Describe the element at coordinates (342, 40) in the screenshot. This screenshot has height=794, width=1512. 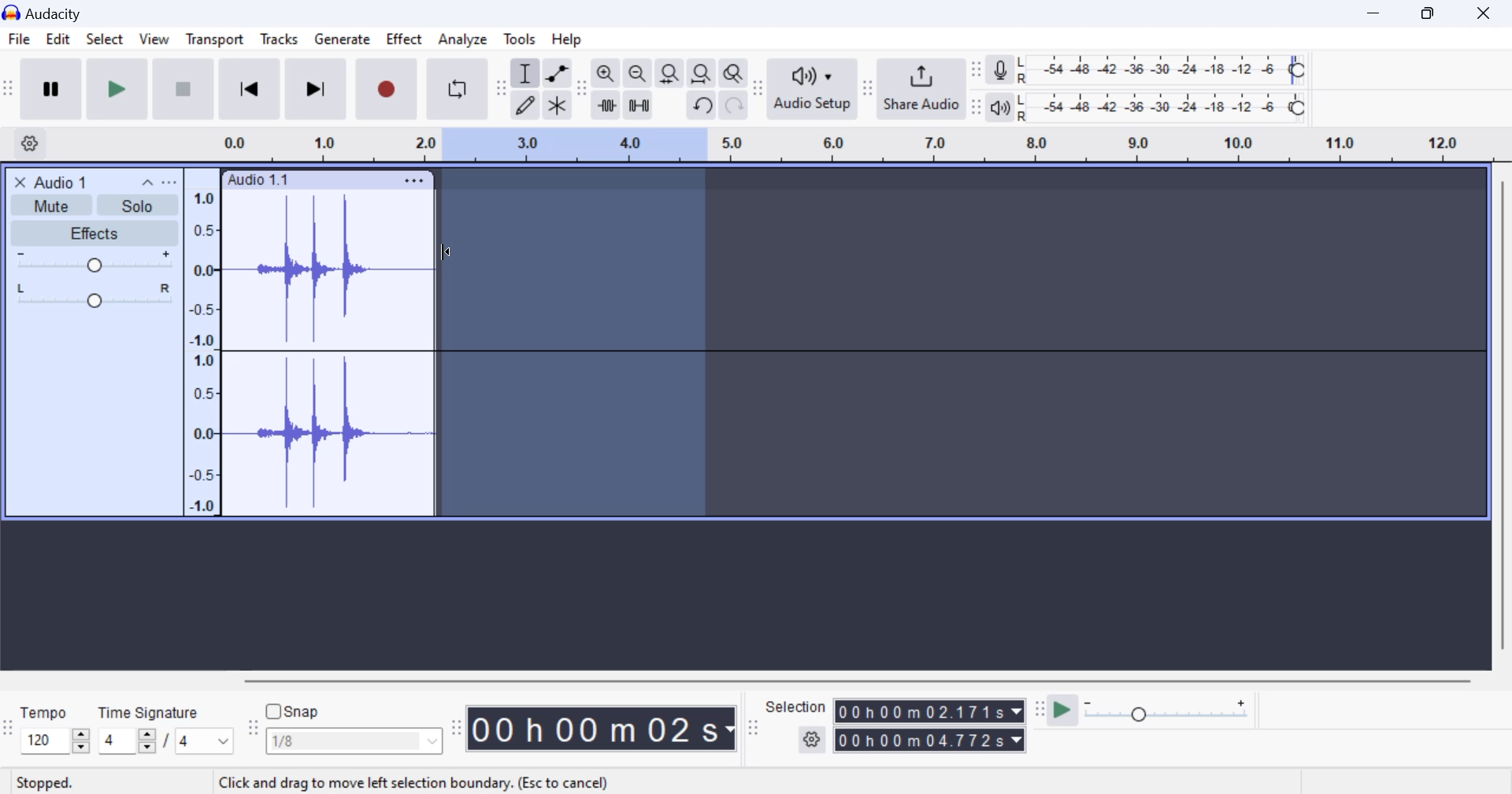
I see `Generate` at that location.